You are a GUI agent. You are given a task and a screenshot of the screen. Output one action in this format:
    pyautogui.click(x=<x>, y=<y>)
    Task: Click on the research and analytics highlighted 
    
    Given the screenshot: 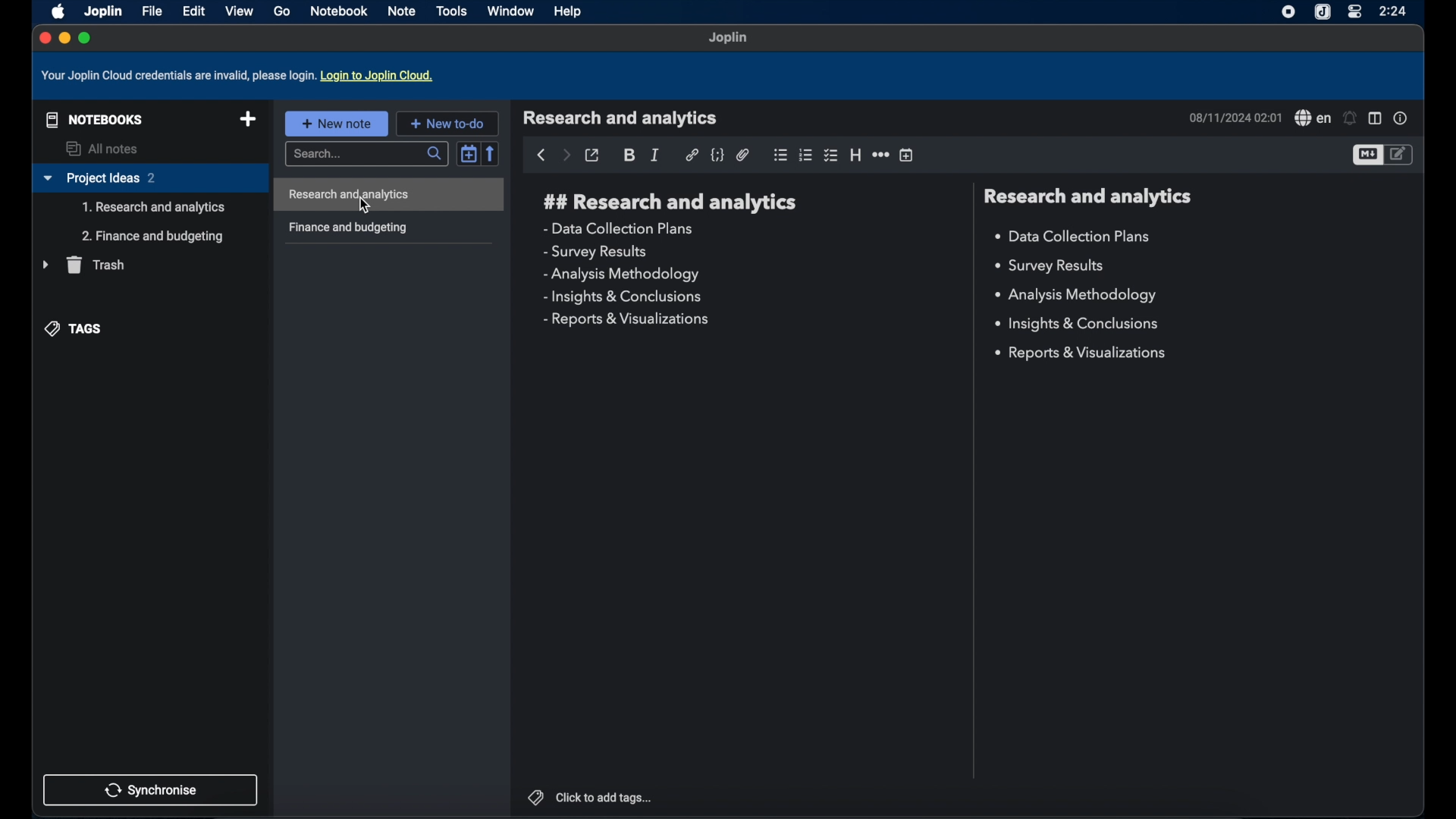 What is the action you would take?
    pyautogui.click(x=391, y=195)
    